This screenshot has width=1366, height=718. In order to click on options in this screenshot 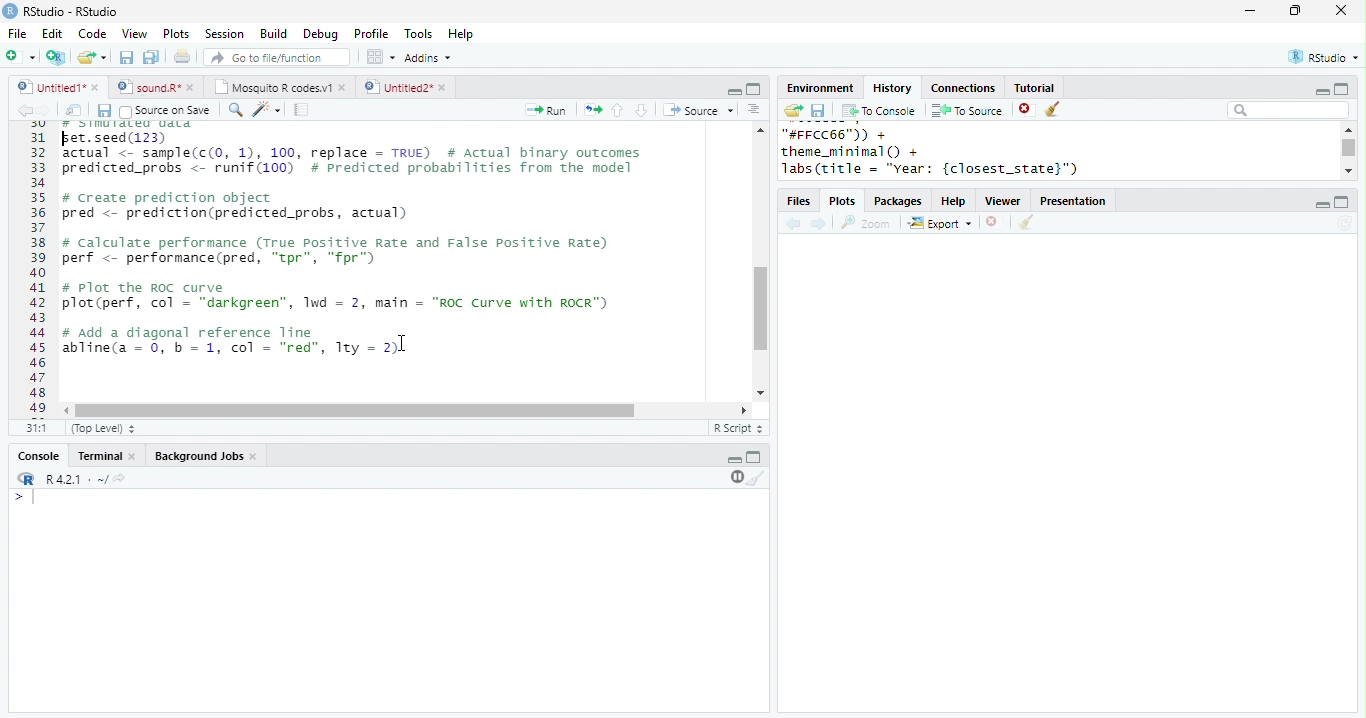, I will do `click(754, 109)`.